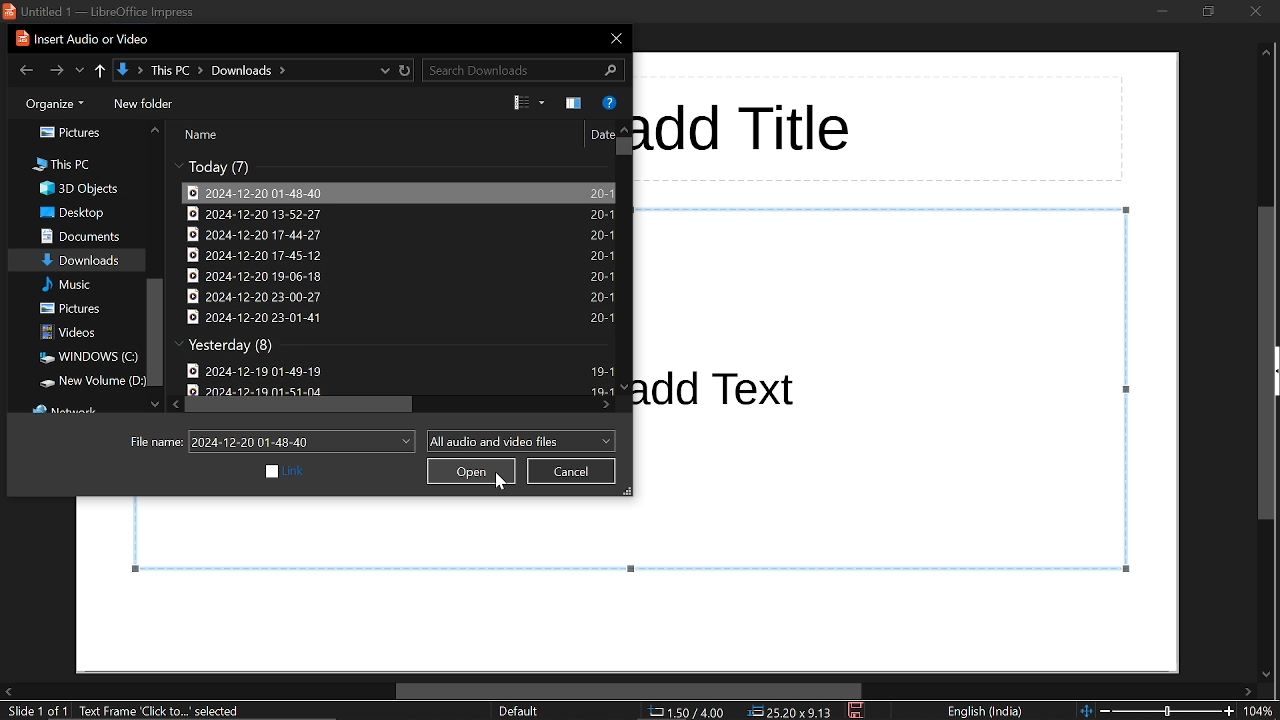 The width and height of the screenshot is (1280, 720). What do you see at coordinates (64, 165) in the screenshot?
I see `this pc` at bounding box center [64, 165].